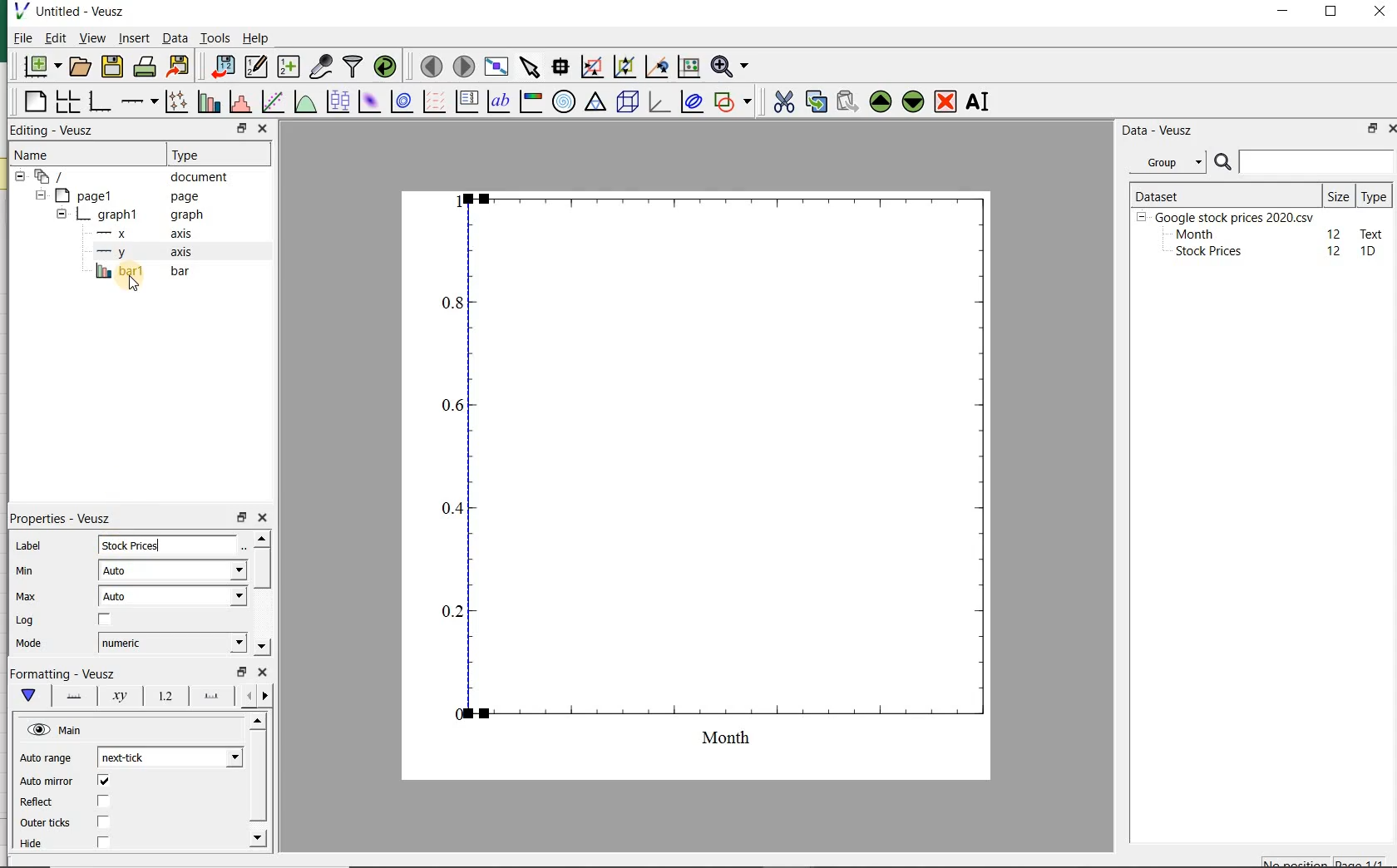 This screenshot has height=868, width=1397. I want to click on select items from the graph or scroll, so click(529, 67).